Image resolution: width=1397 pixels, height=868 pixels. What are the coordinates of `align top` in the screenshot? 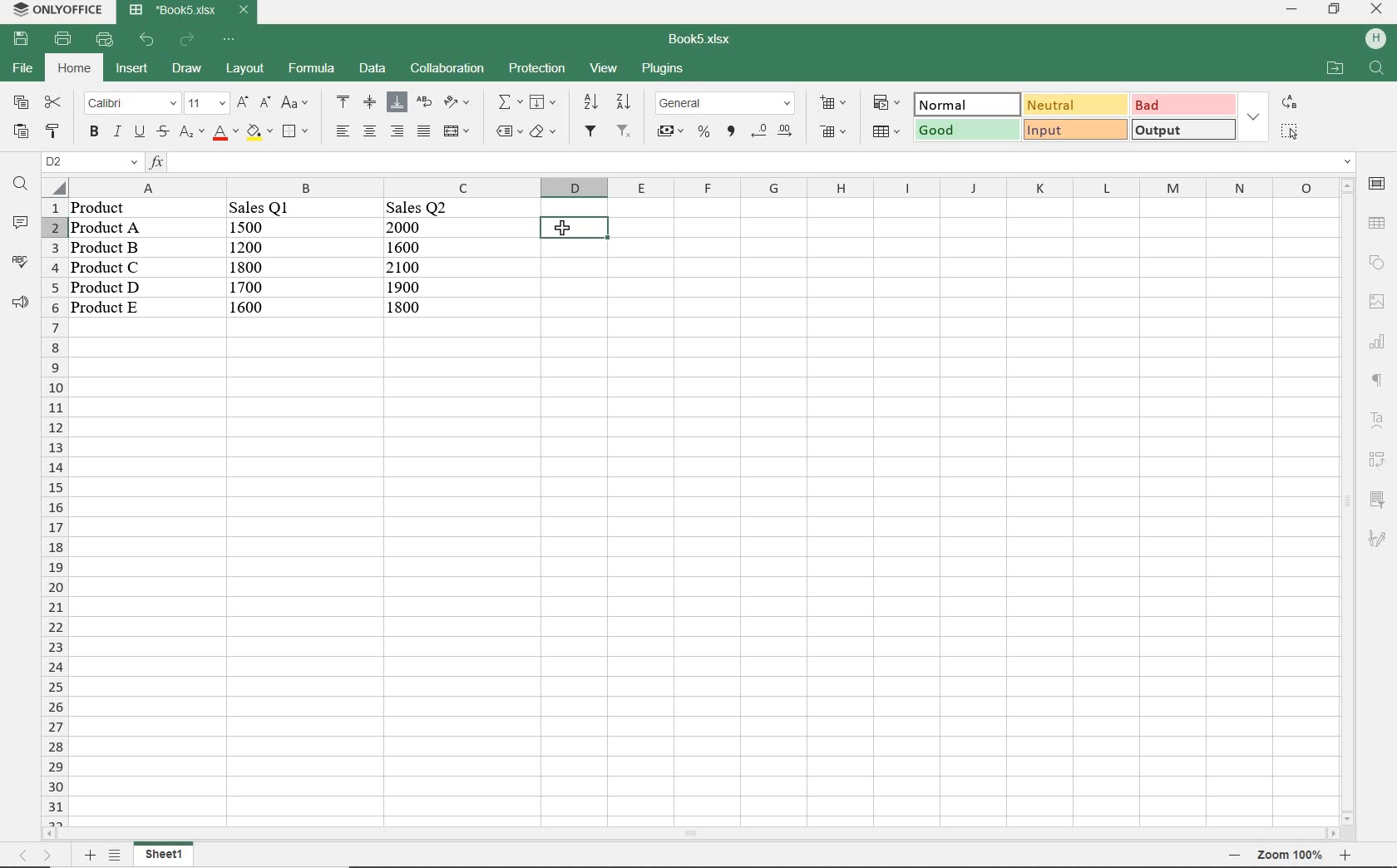 It's located at (340, 102).